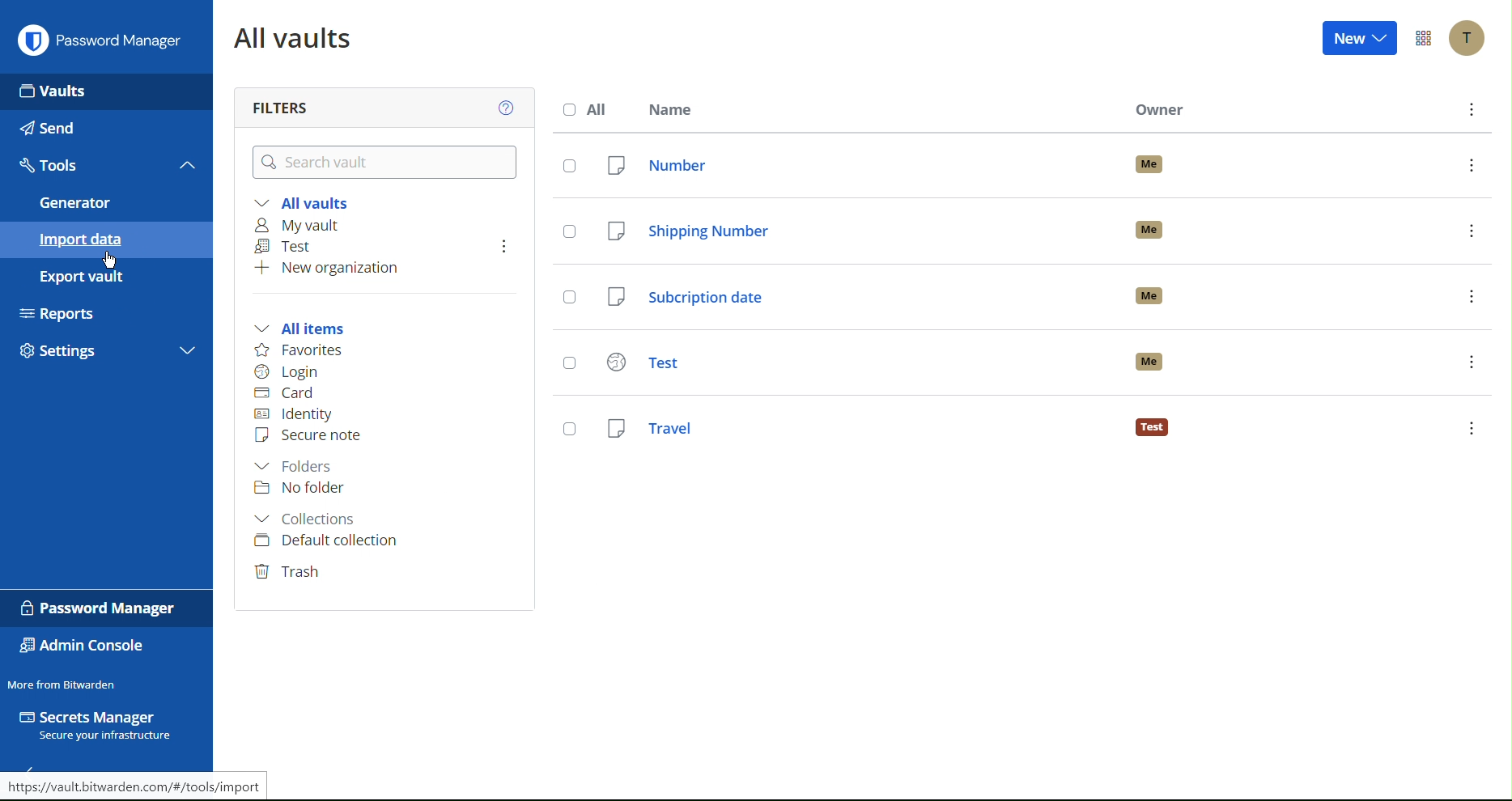 This screenshot has height=801, width=1512. What do you see at coordinates (1471, 362) in the screenshot?
I see `options` at bounding box center [1471, 362].